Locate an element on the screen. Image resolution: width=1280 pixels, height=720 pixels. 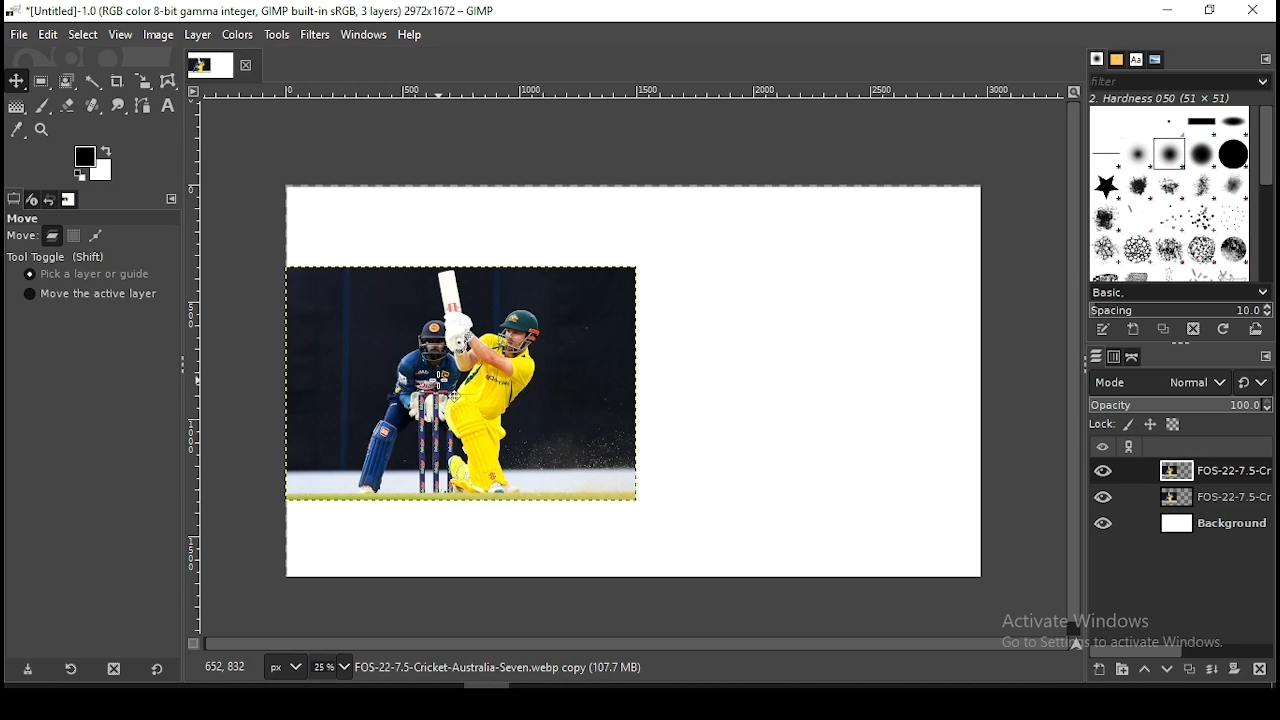
brushes is located at coordinates (1097, 59).